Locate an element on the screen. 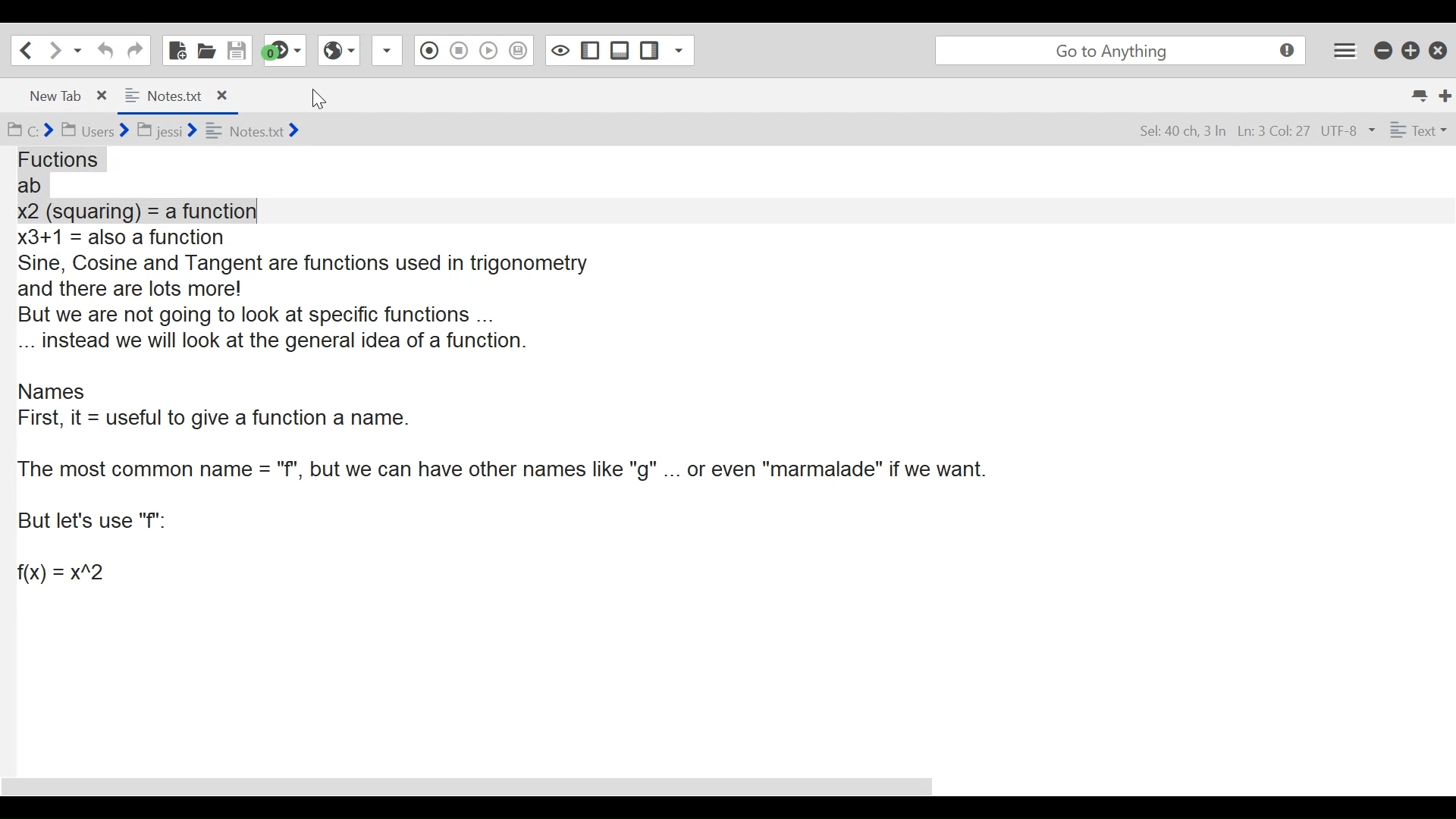 The width and height of the screenshot is (1456, 819). Undo last Action is located at coordinates (108, 50).